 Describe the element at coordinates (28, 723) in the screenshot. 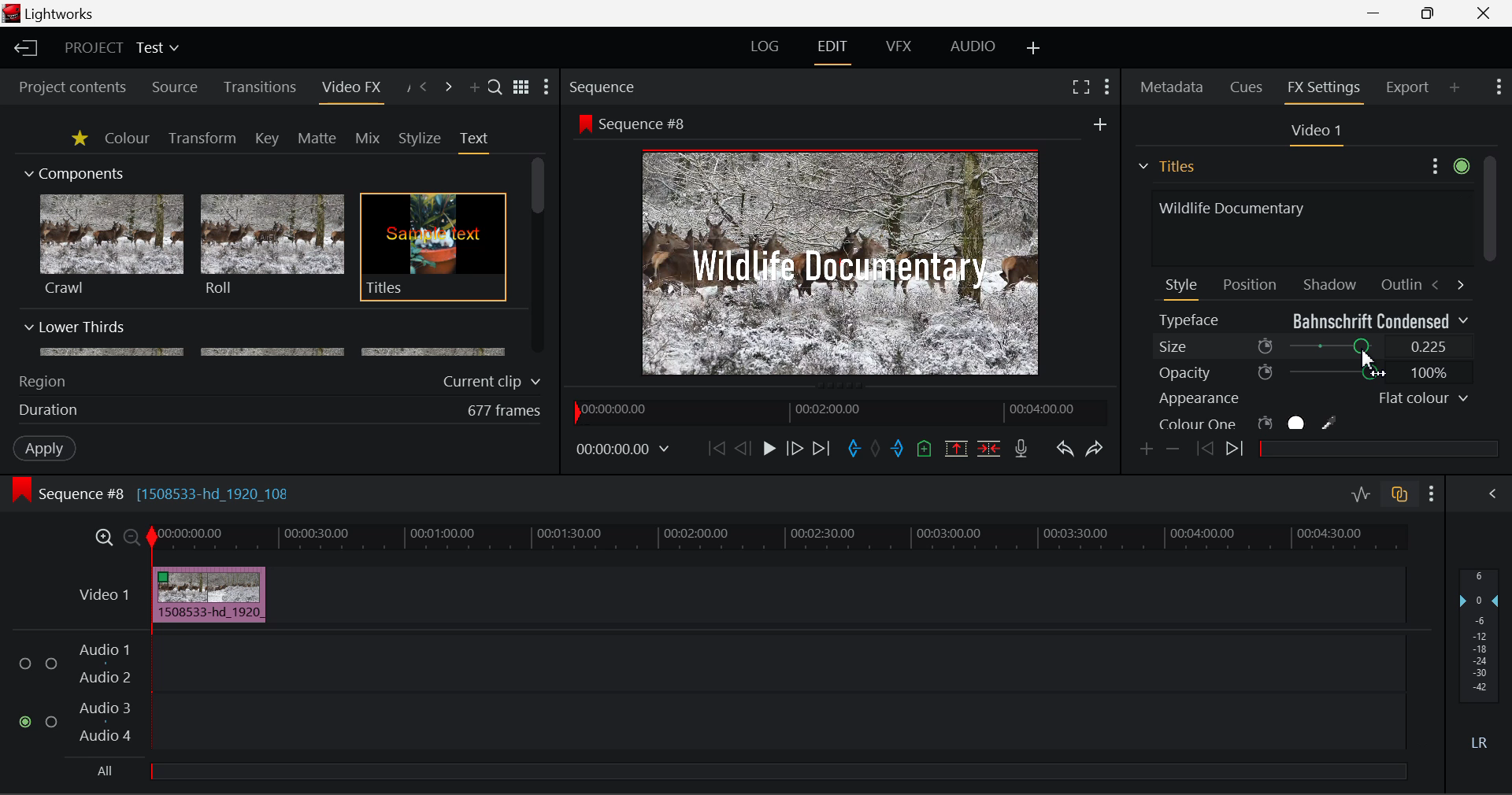

I see `checked checkbox` at that location.